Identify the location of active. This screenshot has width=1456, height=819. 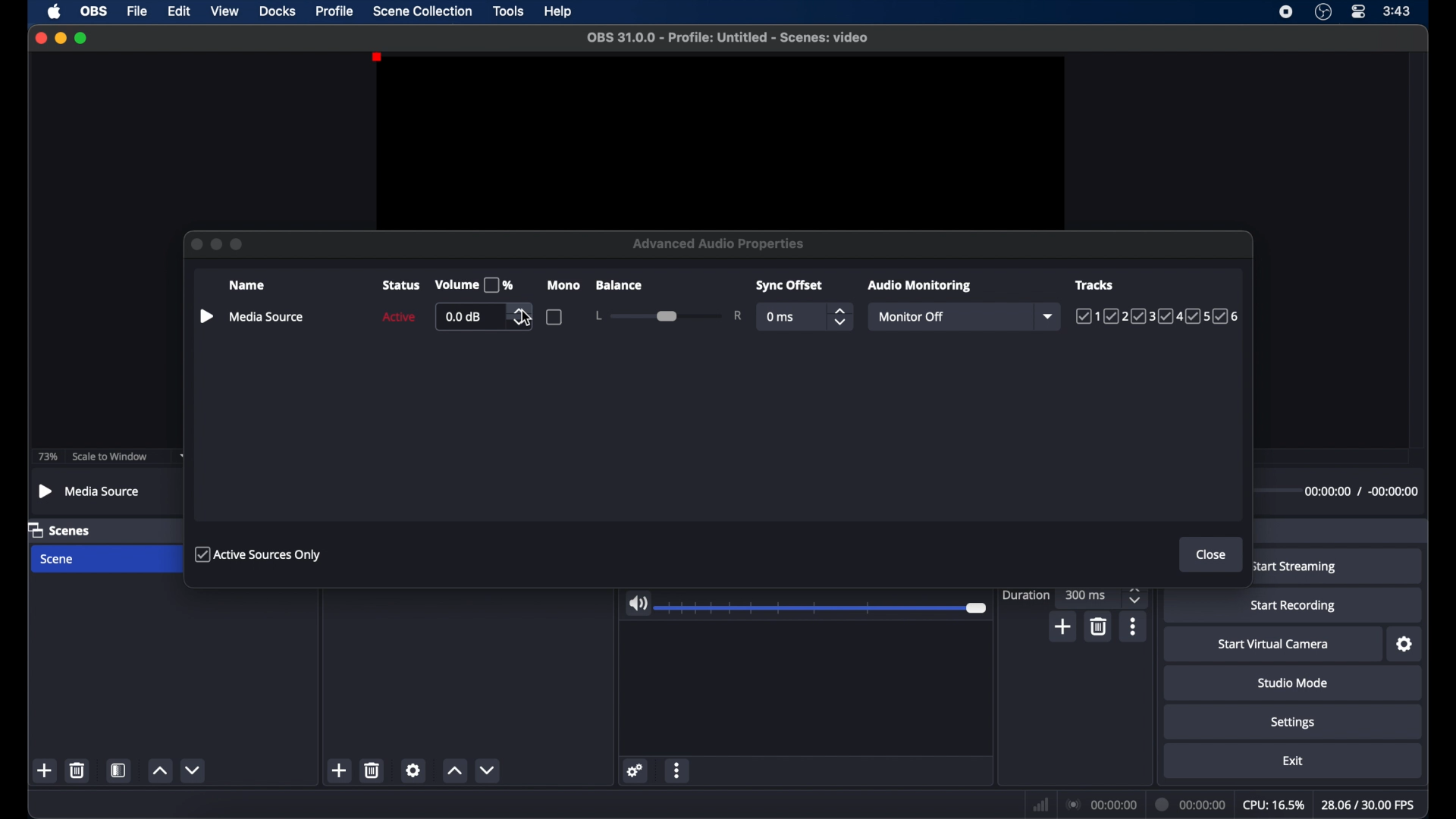
(397, 316).